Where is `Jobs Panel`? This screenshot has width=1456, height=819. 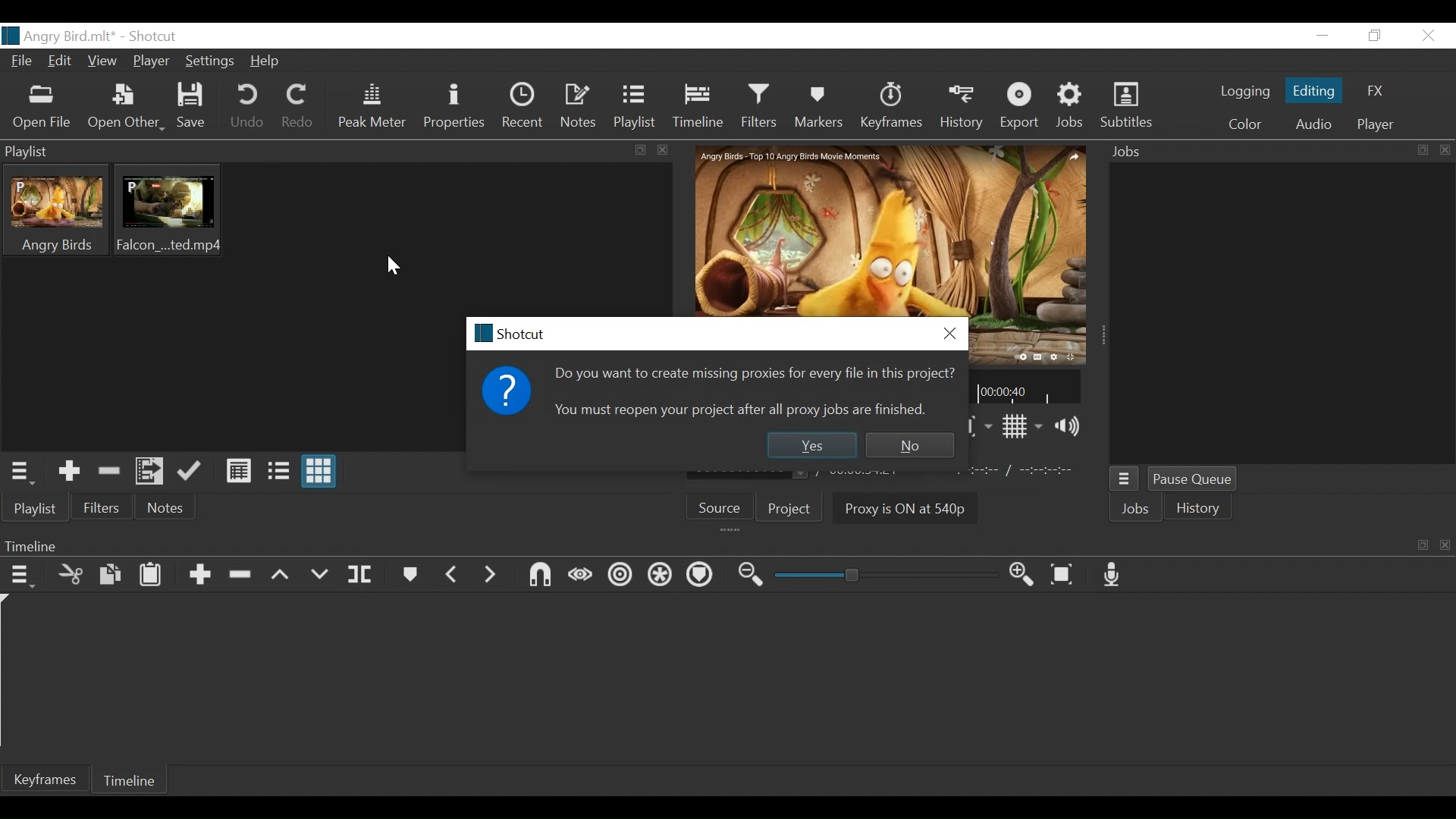 Jobs Panel is located at coordinates (1278, 152).